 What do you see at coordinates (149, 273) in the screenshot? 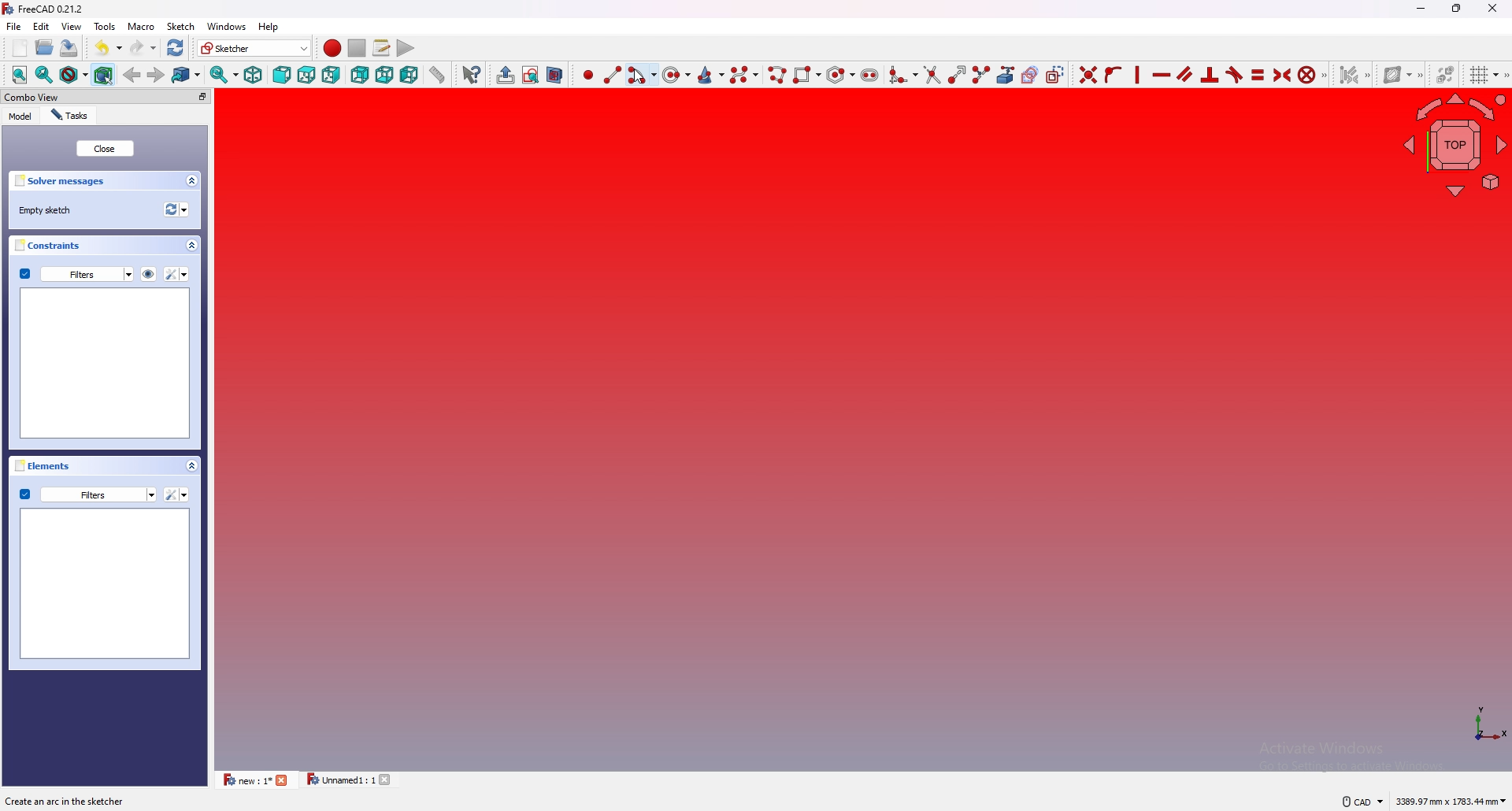
I see `hide all listed constraints` at bounding box center [149, 273].